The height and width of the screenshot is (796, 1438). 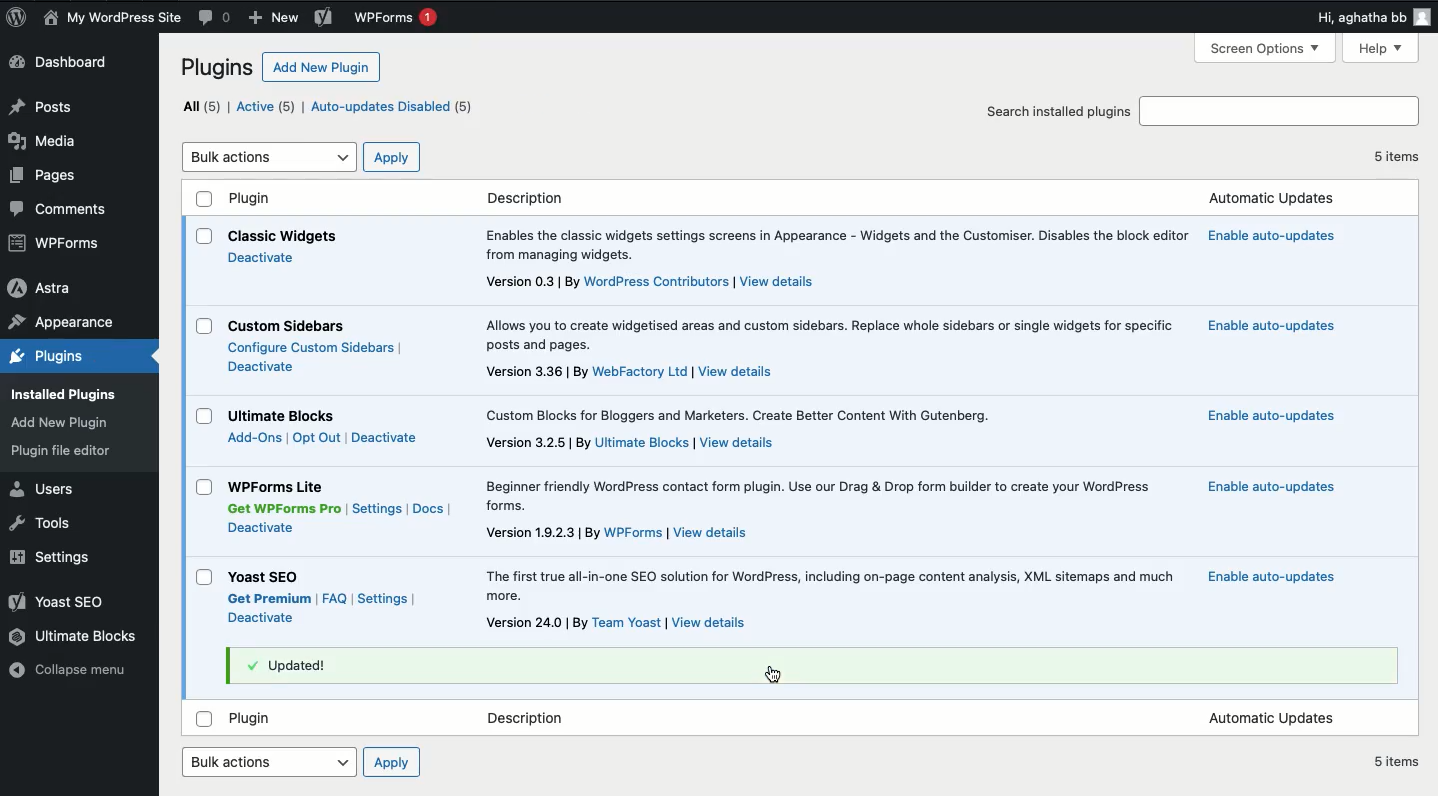 What do you see at coordinates (63, 450) in the screenshot?
I see `Plugins` at bounding box center [63, 450].